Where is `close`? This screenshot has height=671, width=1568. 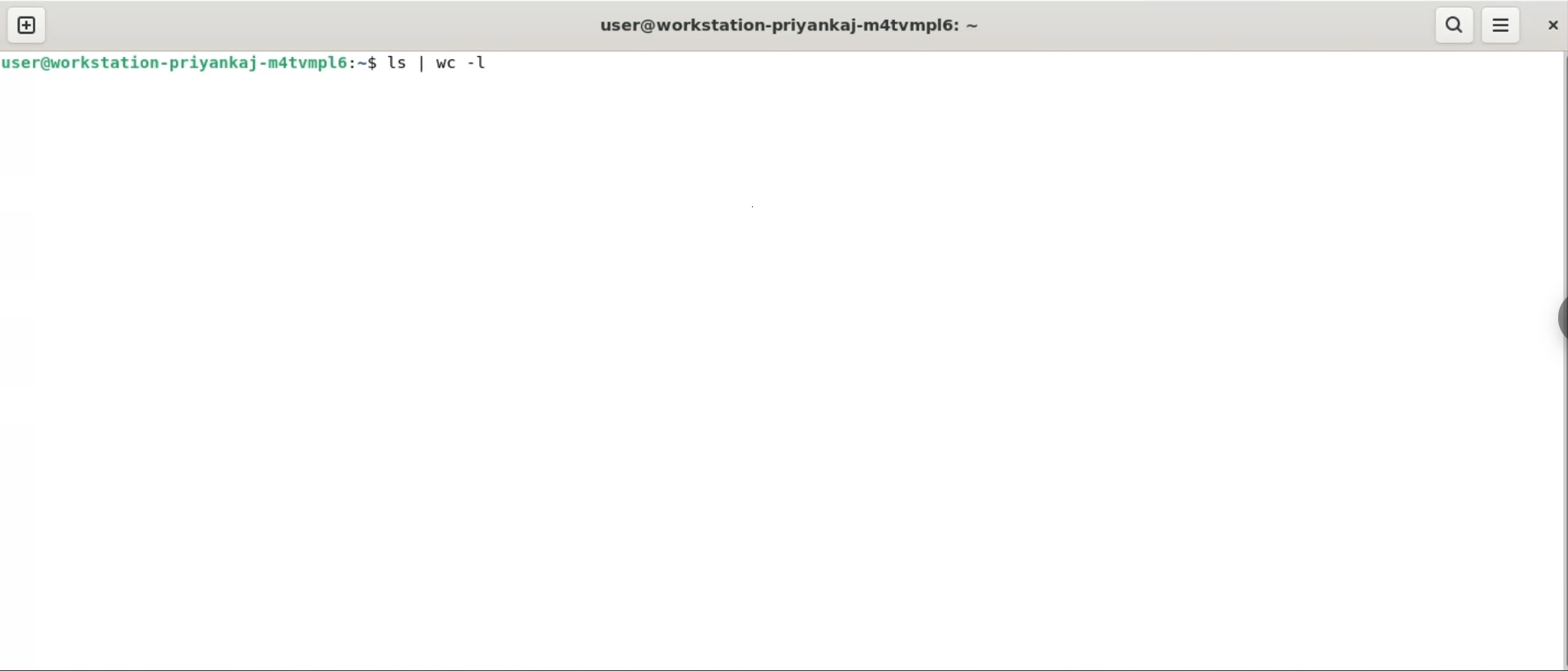
close is located at coordinates (1552, 27).